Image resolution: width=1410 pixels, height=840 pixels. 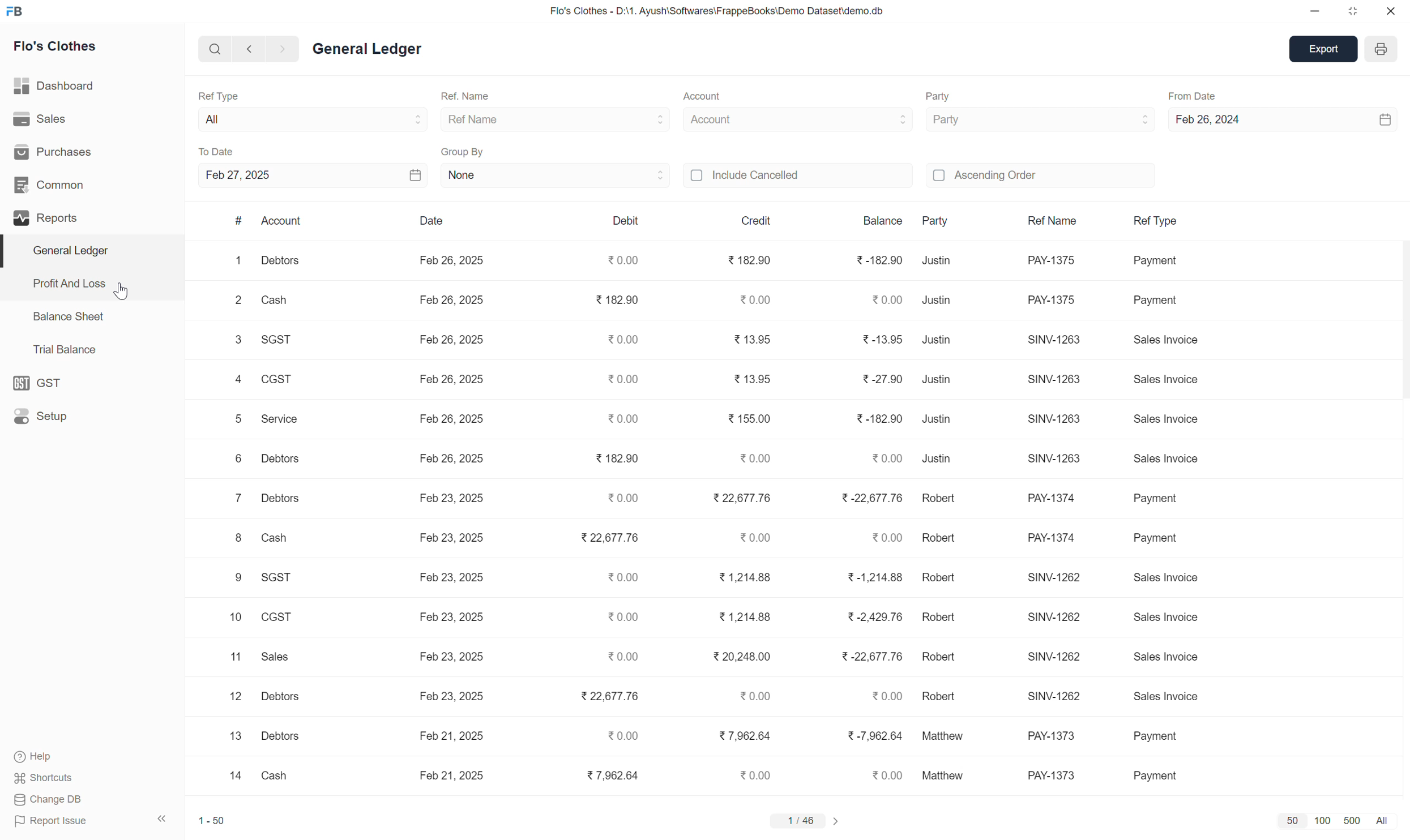 I want to click on Date, so click(x=428, y=221).